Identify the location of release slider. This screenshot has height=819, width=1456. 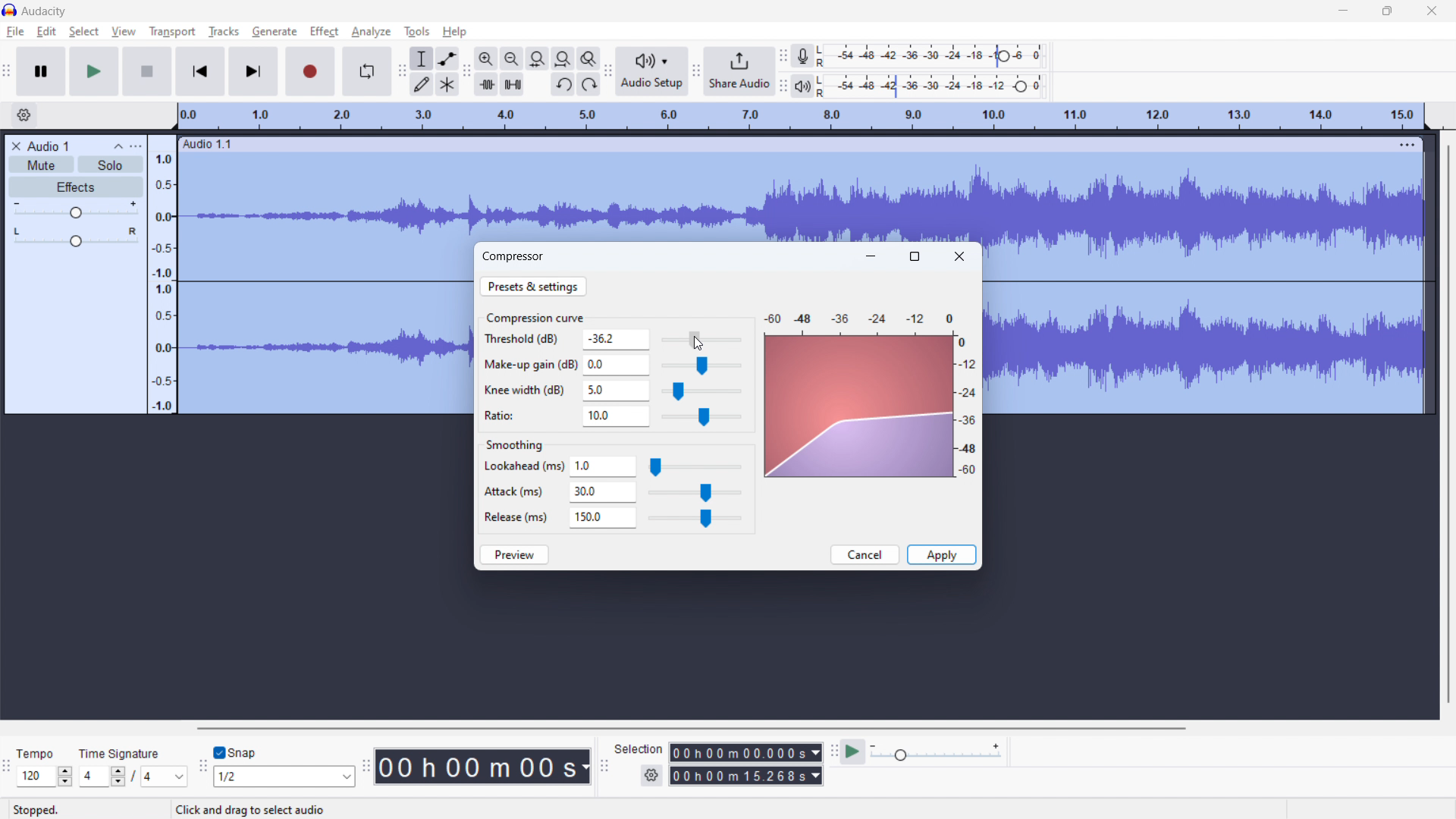
(694, 519).